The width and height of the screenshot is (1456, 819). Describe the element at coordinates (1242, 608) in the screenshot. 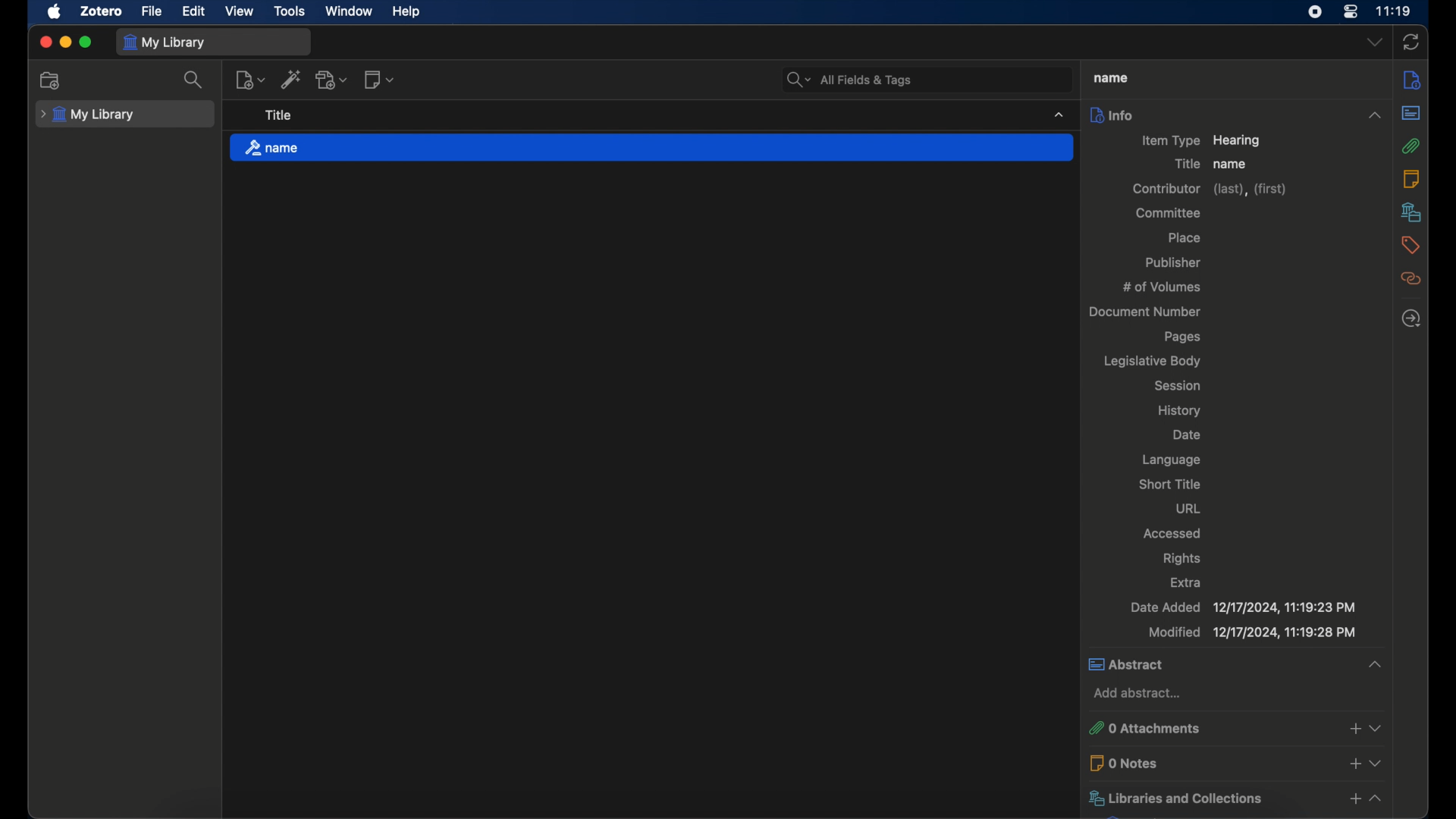

I see `date added` at that location.